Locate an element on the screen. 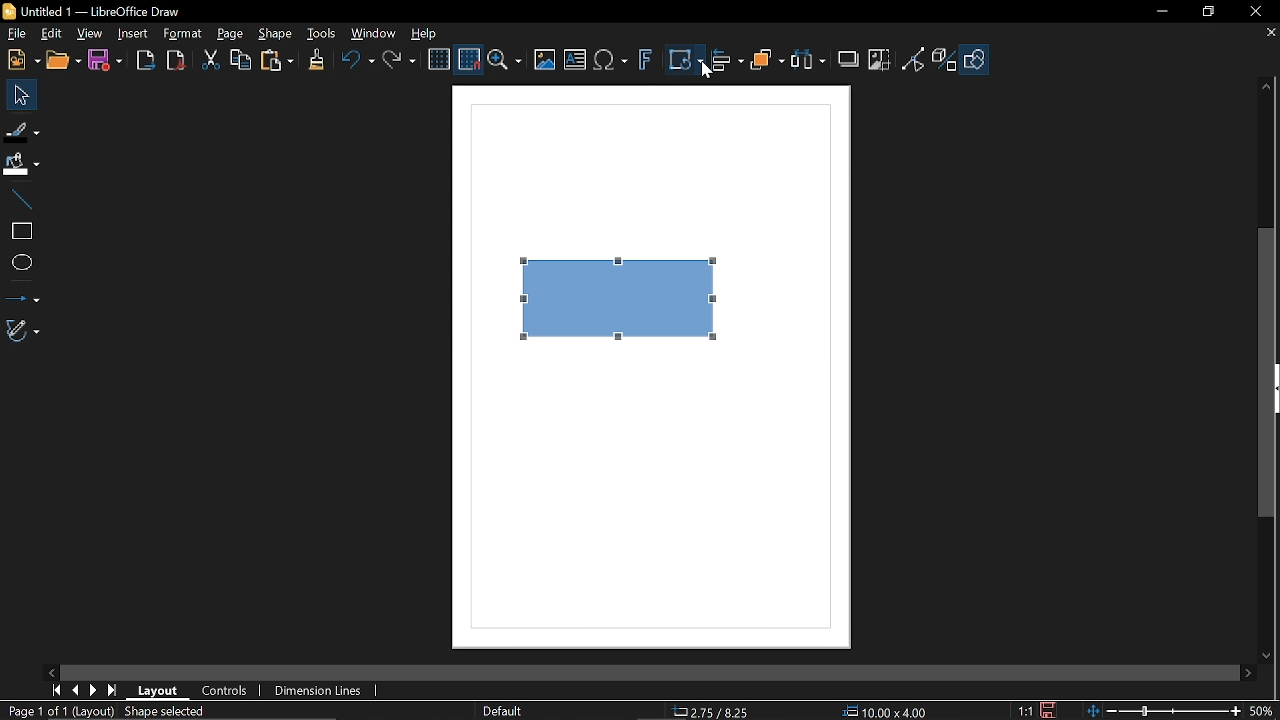 The height and width of the screenshot is (720, 1280). Curves and polygons is located at coordinates (23, 330).